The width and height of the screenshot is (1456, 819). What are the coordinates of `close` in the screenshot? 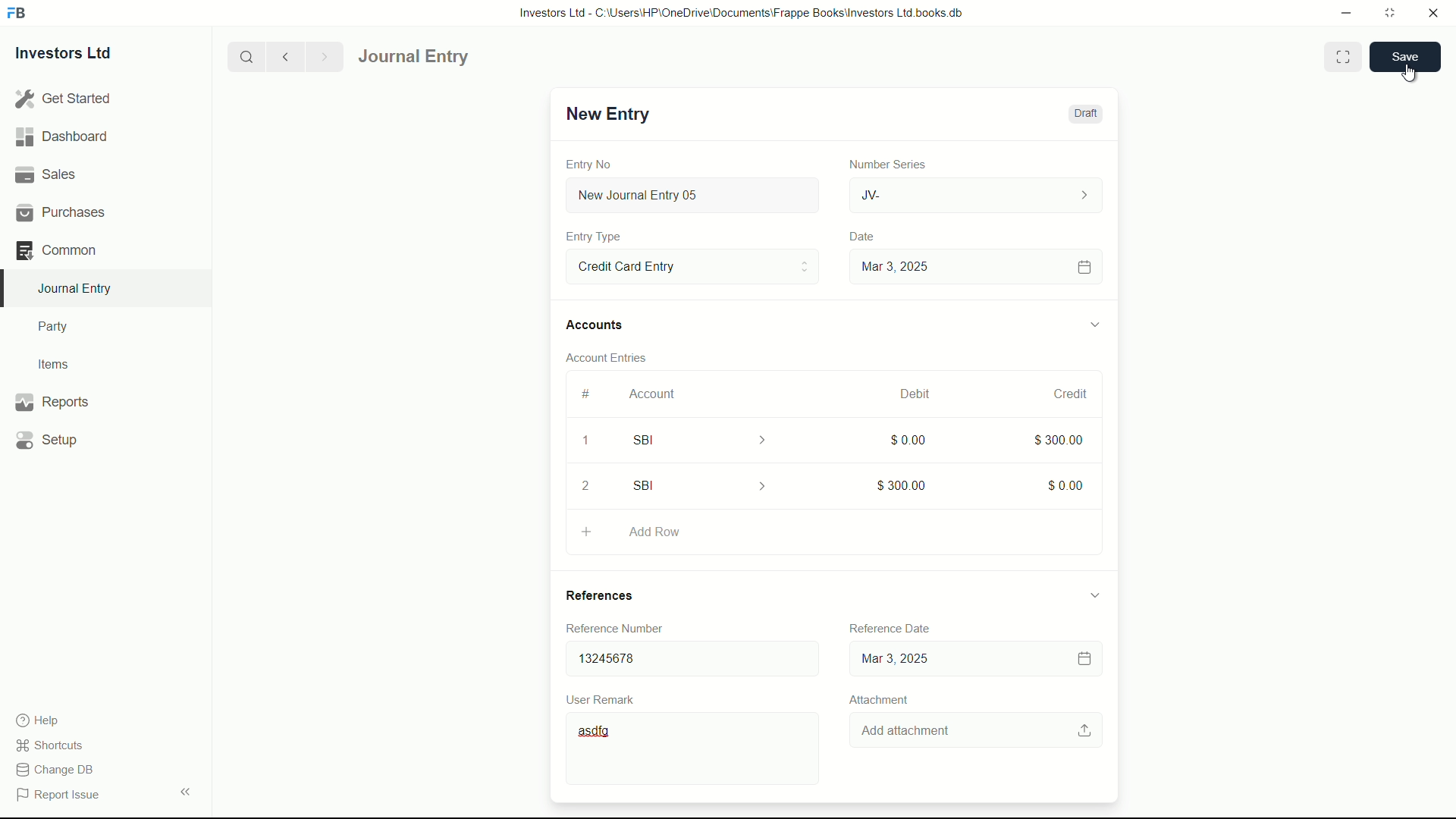 It's located at (1434, 14).